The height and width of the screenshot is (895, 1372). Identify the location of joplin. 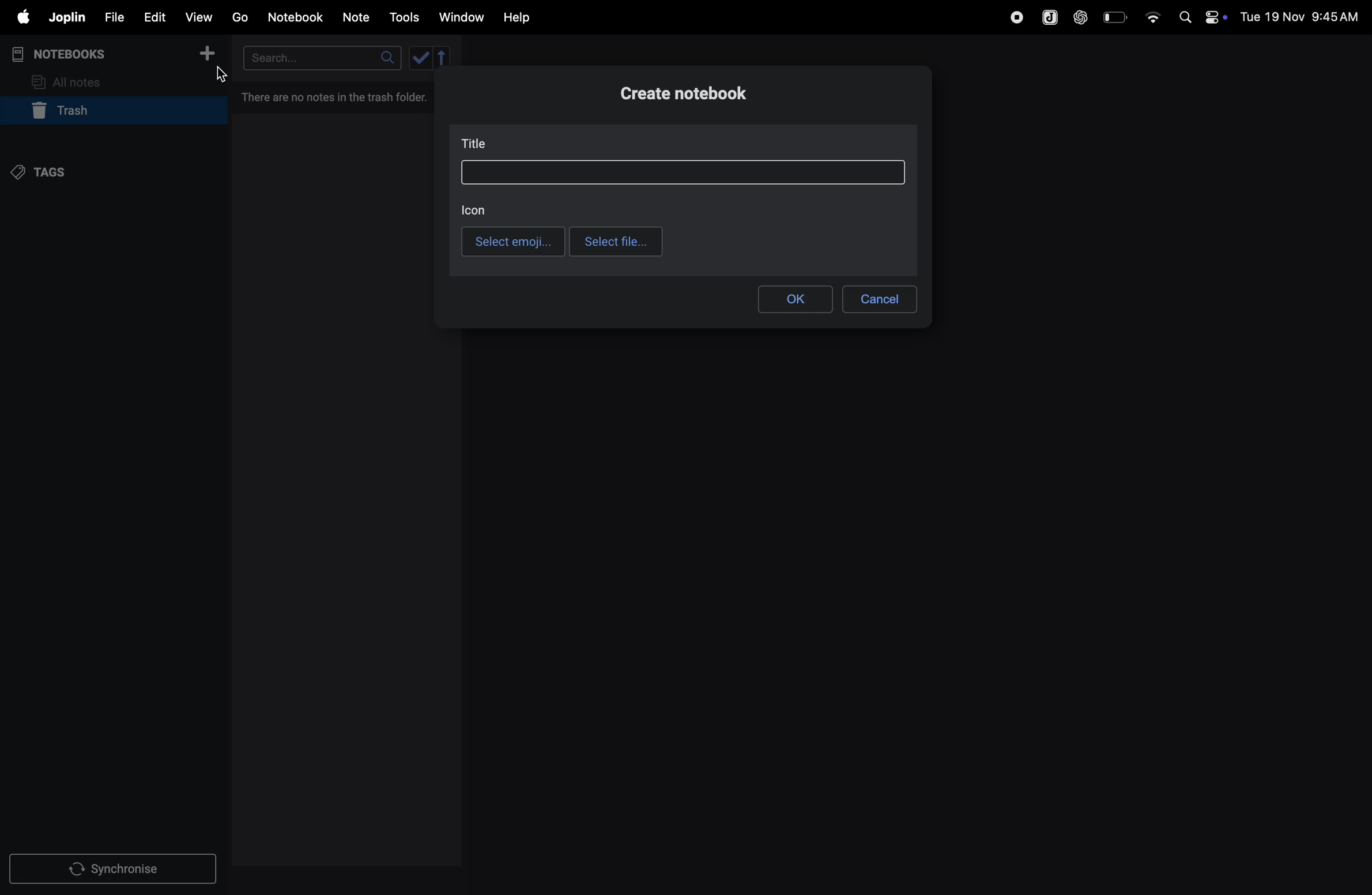
(66, 17).